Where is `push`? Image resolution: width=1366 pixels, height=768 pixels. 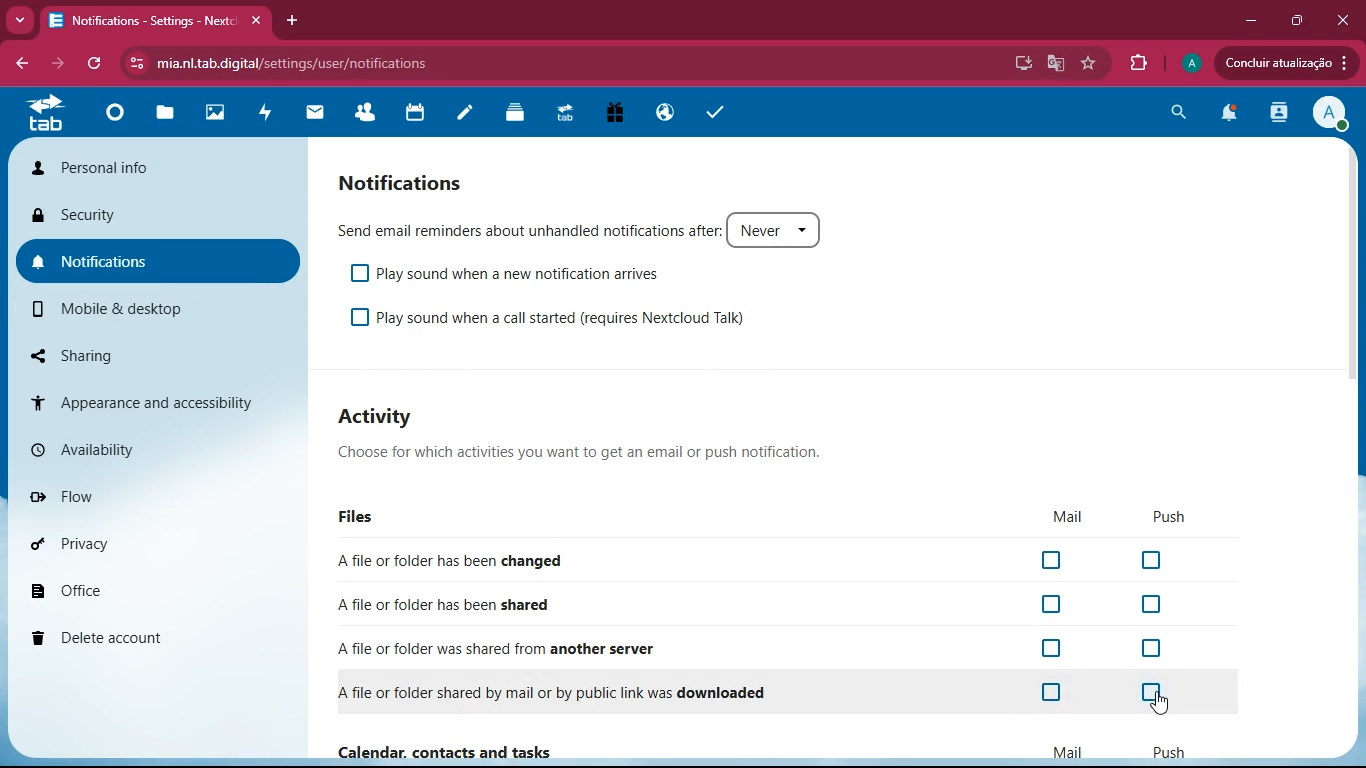
push is located at coordinates (1170, 517).